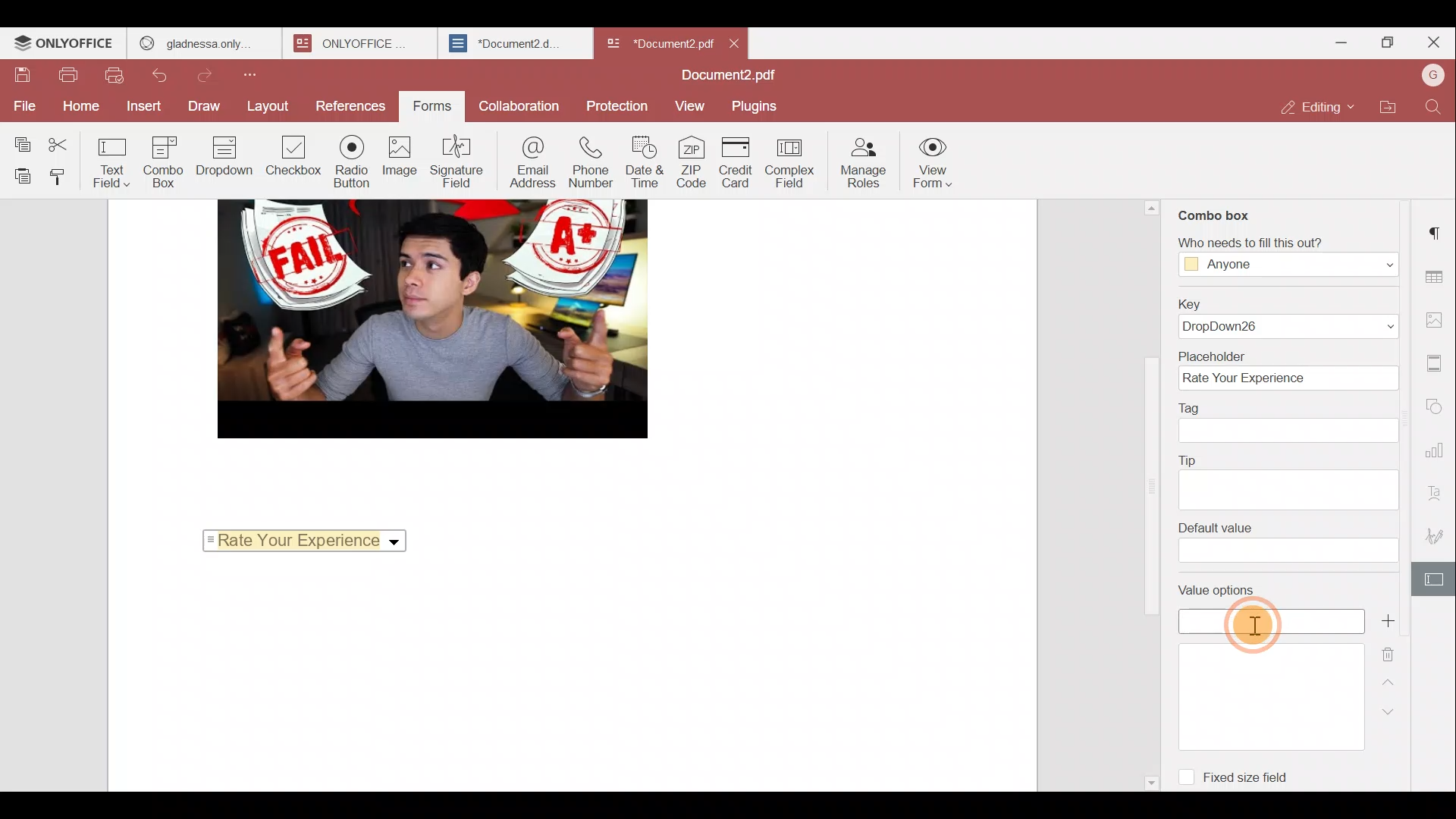 The image size is (1456, 819). What do you see at coordinates (1391, 621) in the screenshot?
I see `Add value` at bounding box center [1391, 621].